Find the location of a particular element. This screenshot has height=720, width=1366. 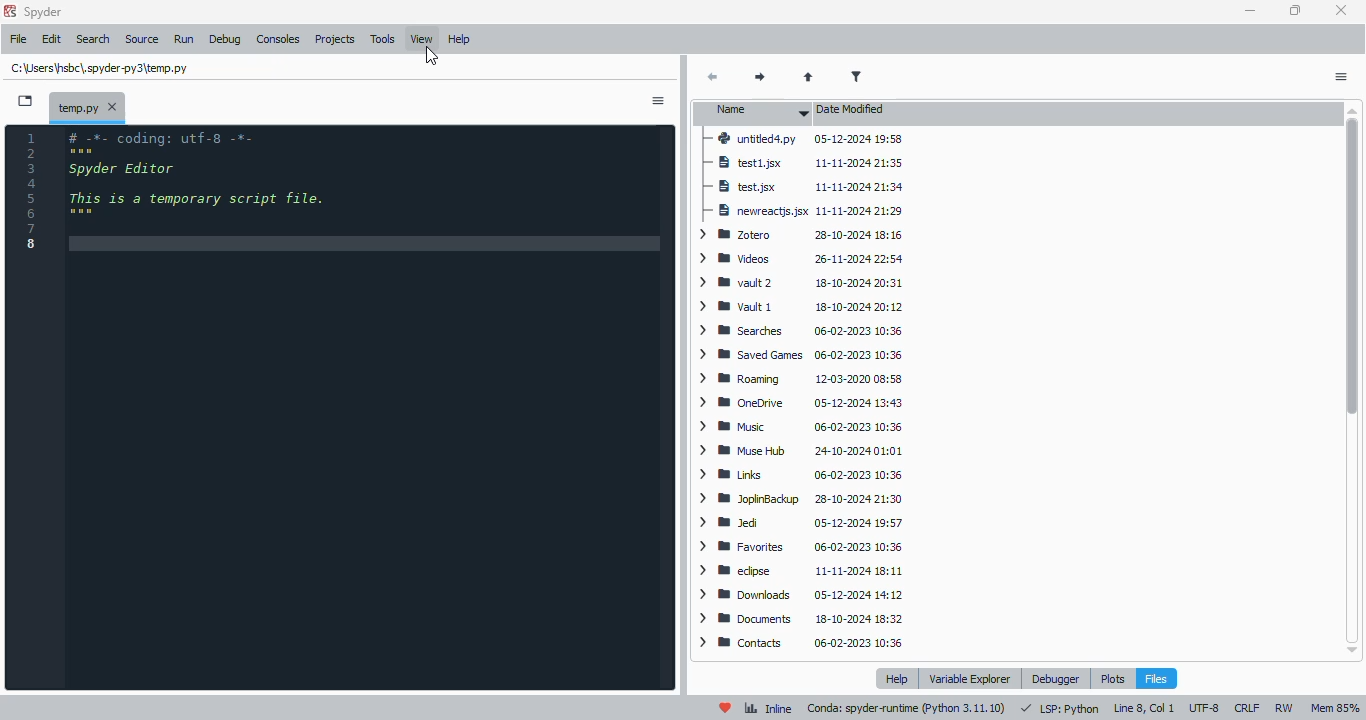

name is located at coordinates (756, 113).